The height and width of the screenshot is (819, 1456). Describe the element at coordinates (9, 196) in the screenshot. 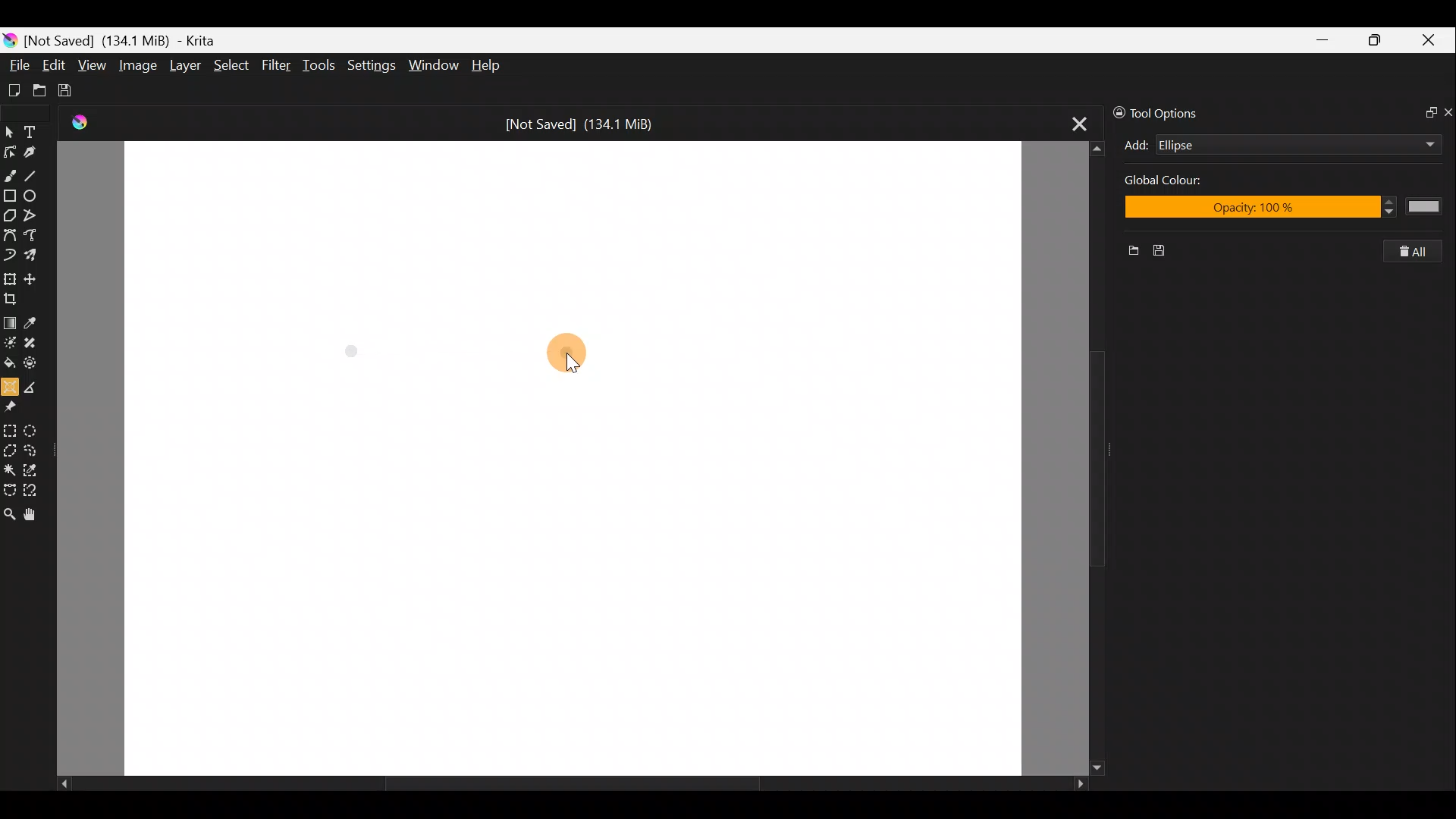

I see `Rectangle` at that location.